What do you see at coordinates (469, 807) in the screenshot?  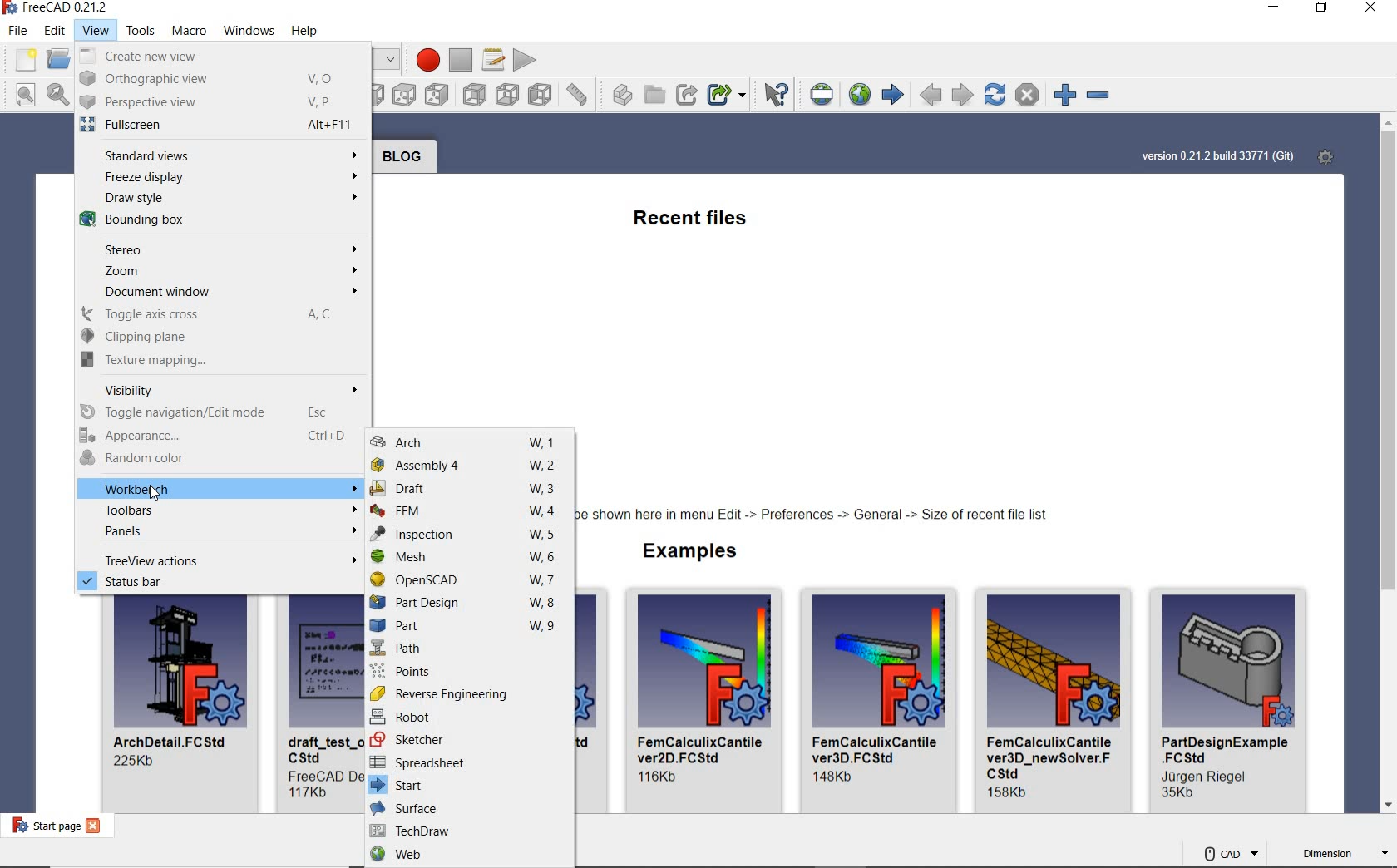 I see `surface` at bounding box center [469, 807].